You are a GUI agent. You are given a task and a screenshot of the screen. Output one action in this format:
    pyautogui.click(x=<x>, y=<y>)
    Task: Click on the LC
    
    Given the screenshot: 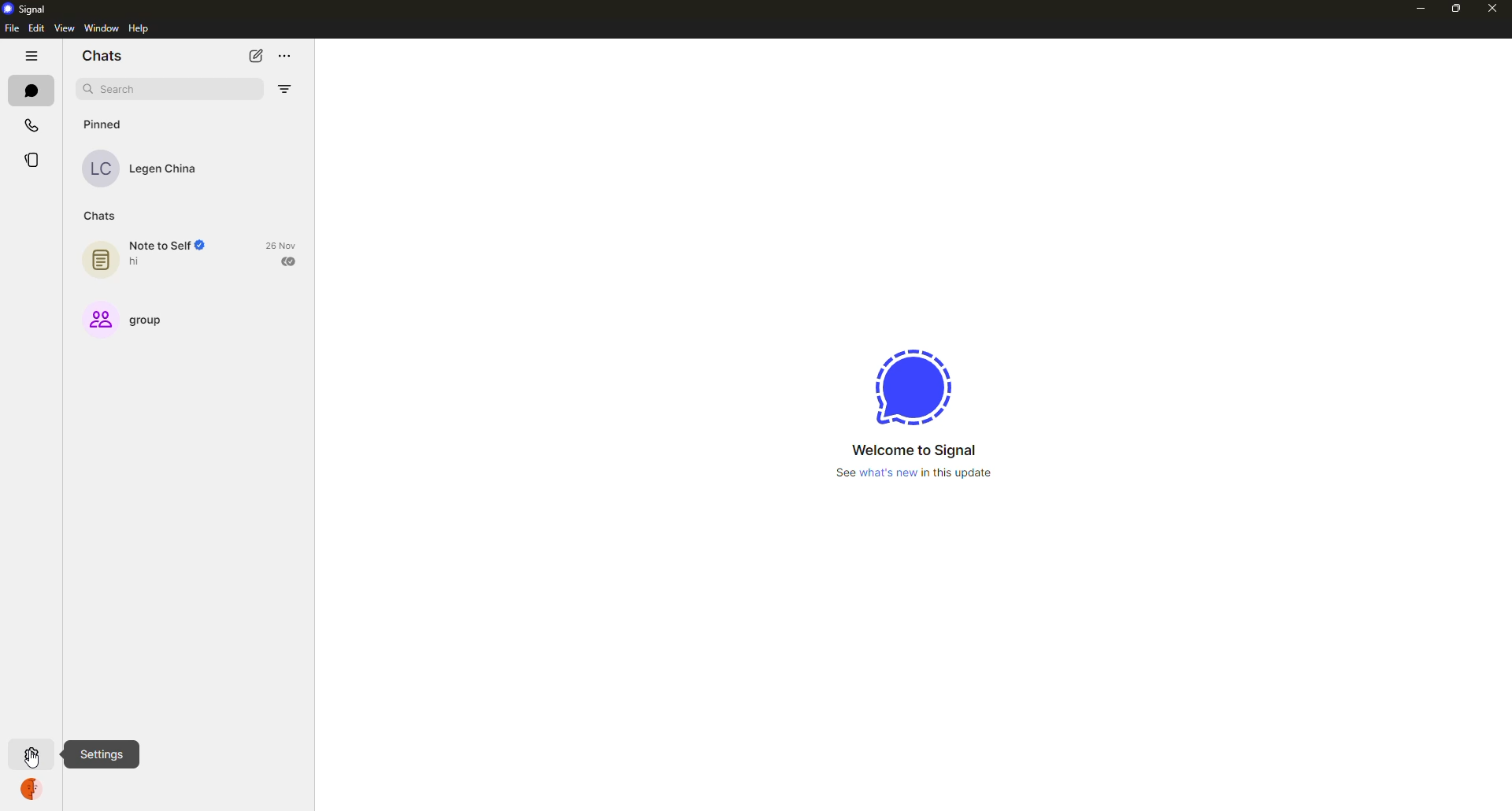 What is the action you would take?
    pyautogui.click(x=105, y=170)
    